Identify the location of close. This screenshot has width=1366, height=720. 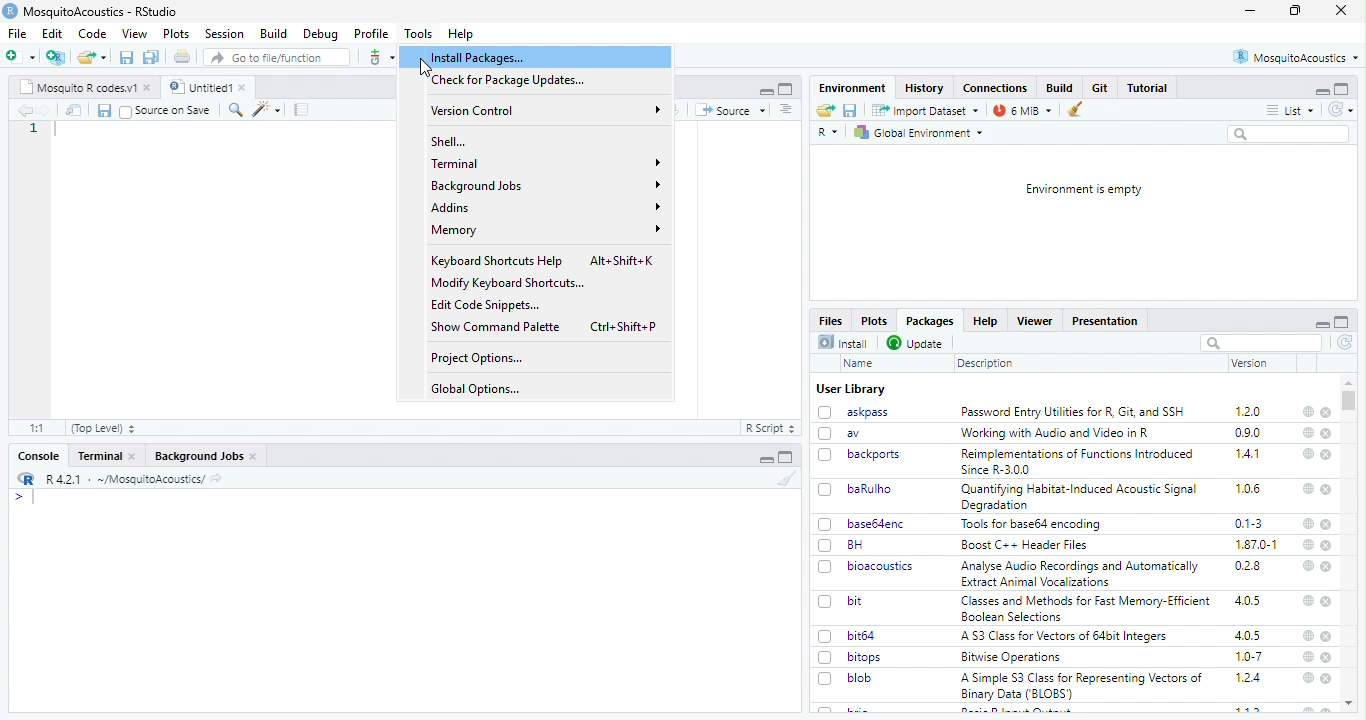
(149, 88).